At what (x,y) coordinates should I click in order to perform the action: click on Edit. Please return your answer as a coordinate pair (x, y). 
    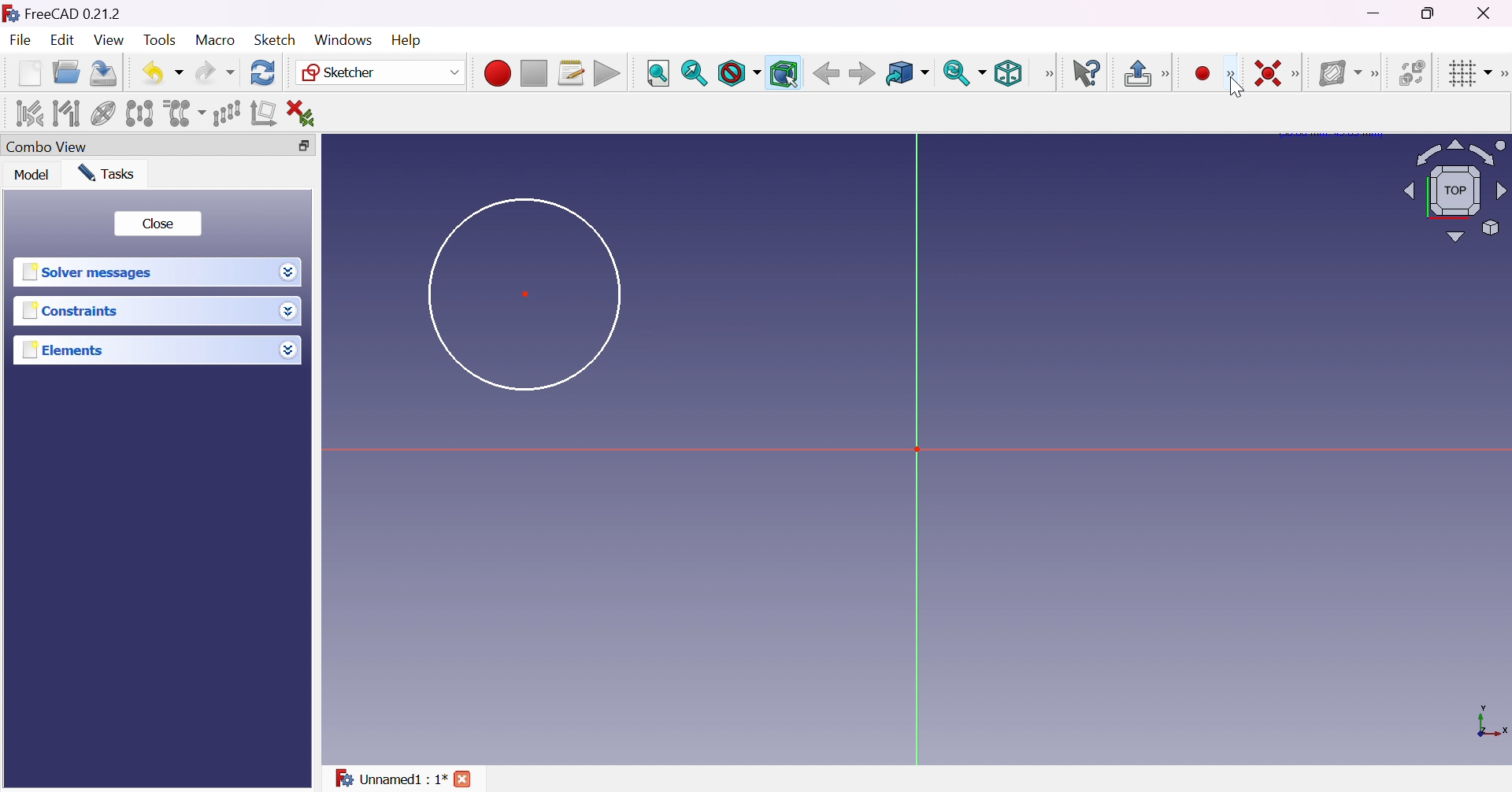
    Looking at the image, I should click on (64, 42).